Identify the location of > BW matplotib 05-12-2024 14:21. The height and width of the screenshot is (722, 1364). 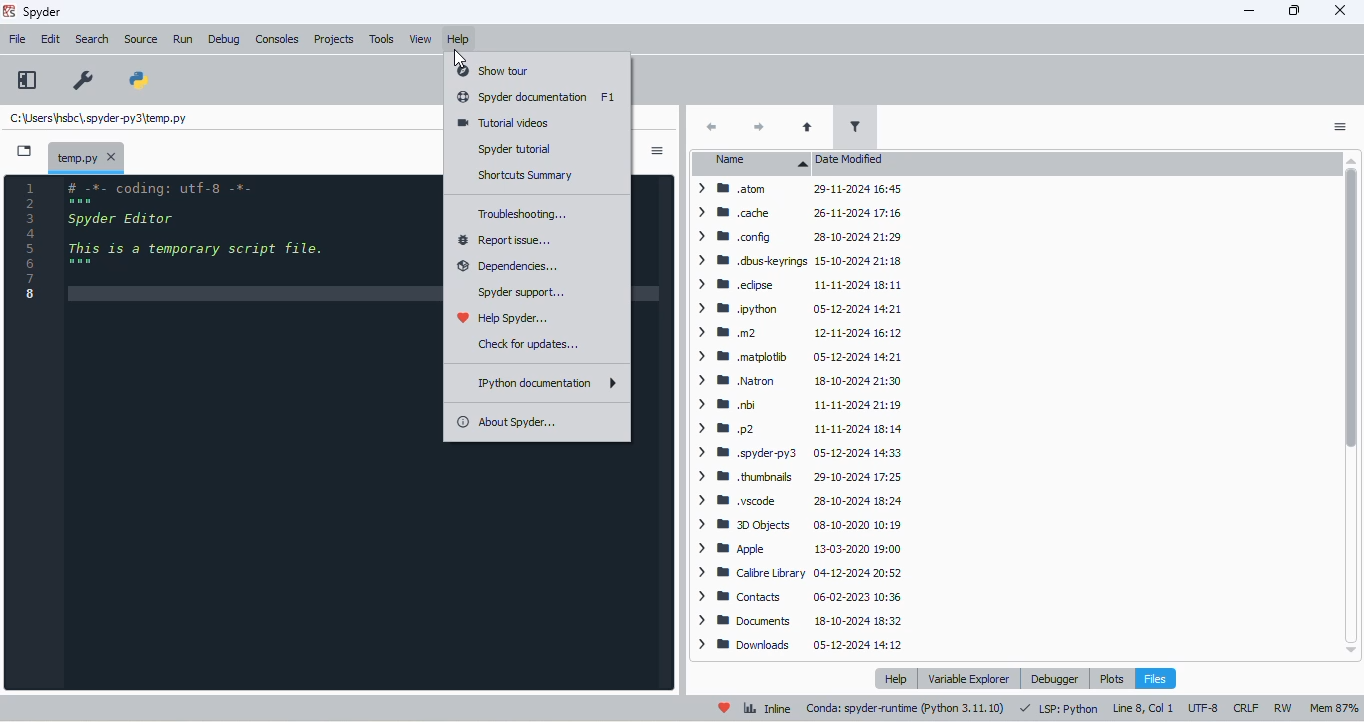
(796, 356).